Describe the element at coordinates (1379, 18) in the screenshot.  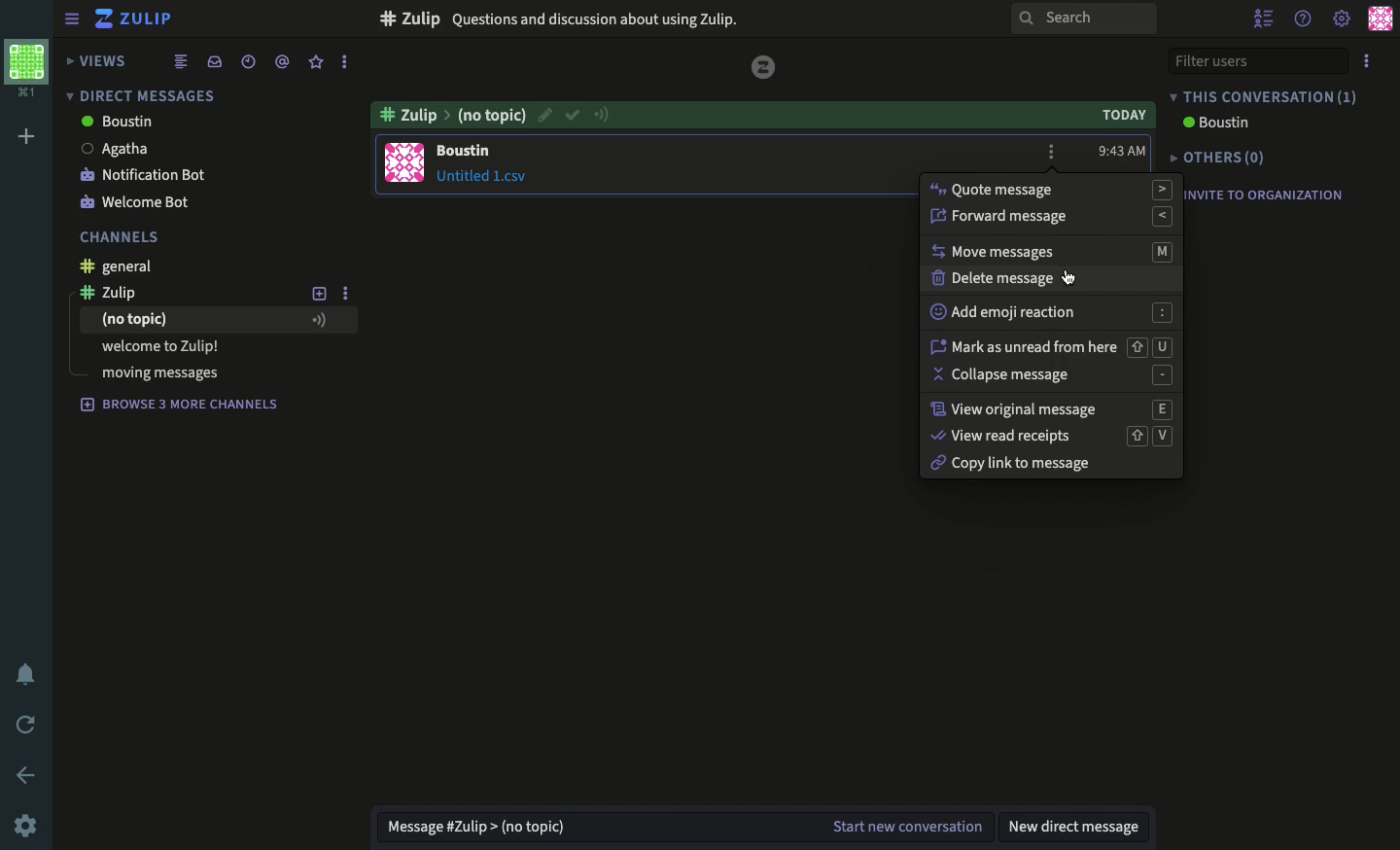
I see `user profile` at that location.